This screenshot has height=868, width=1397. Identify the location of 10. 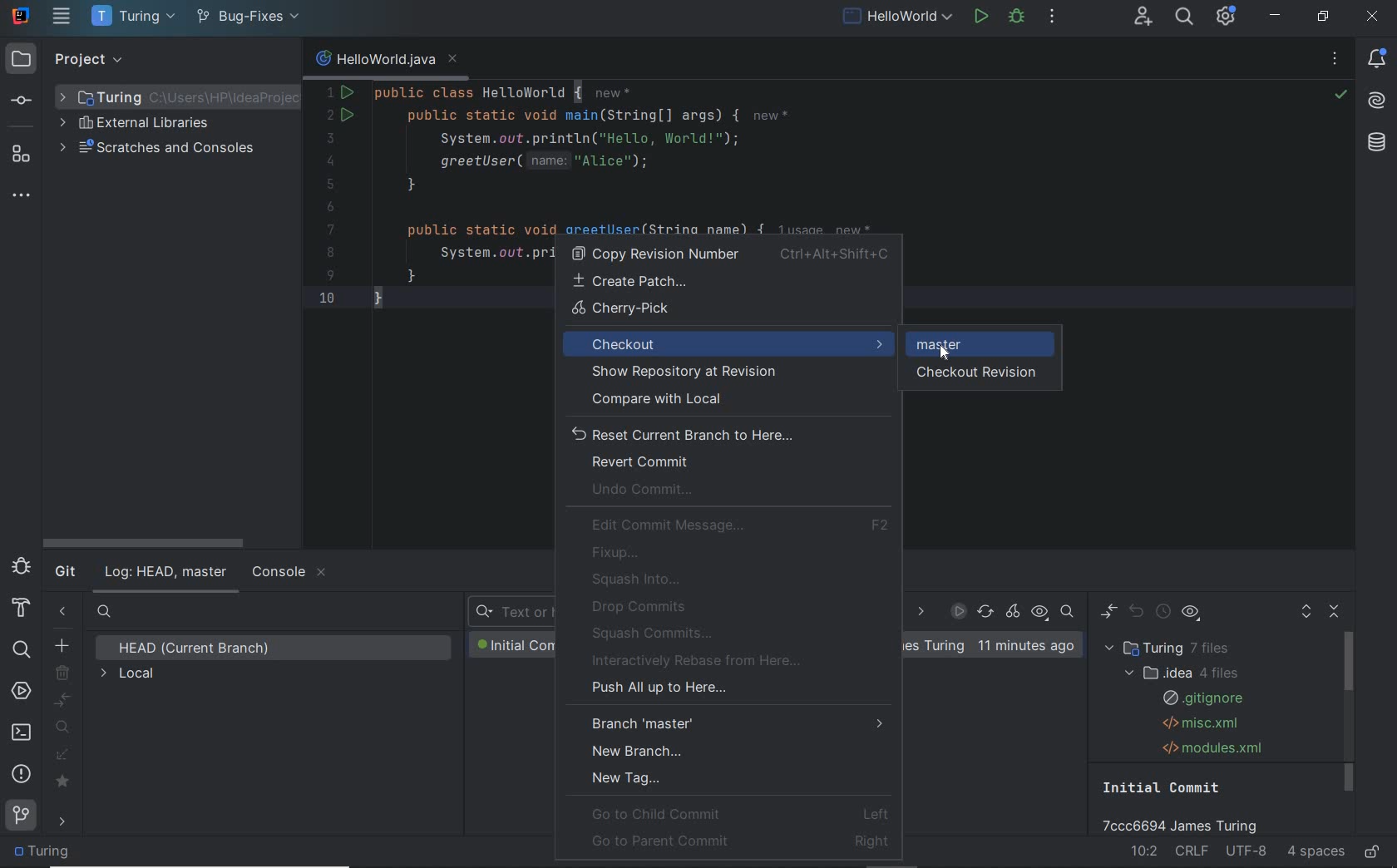
(327, 297).